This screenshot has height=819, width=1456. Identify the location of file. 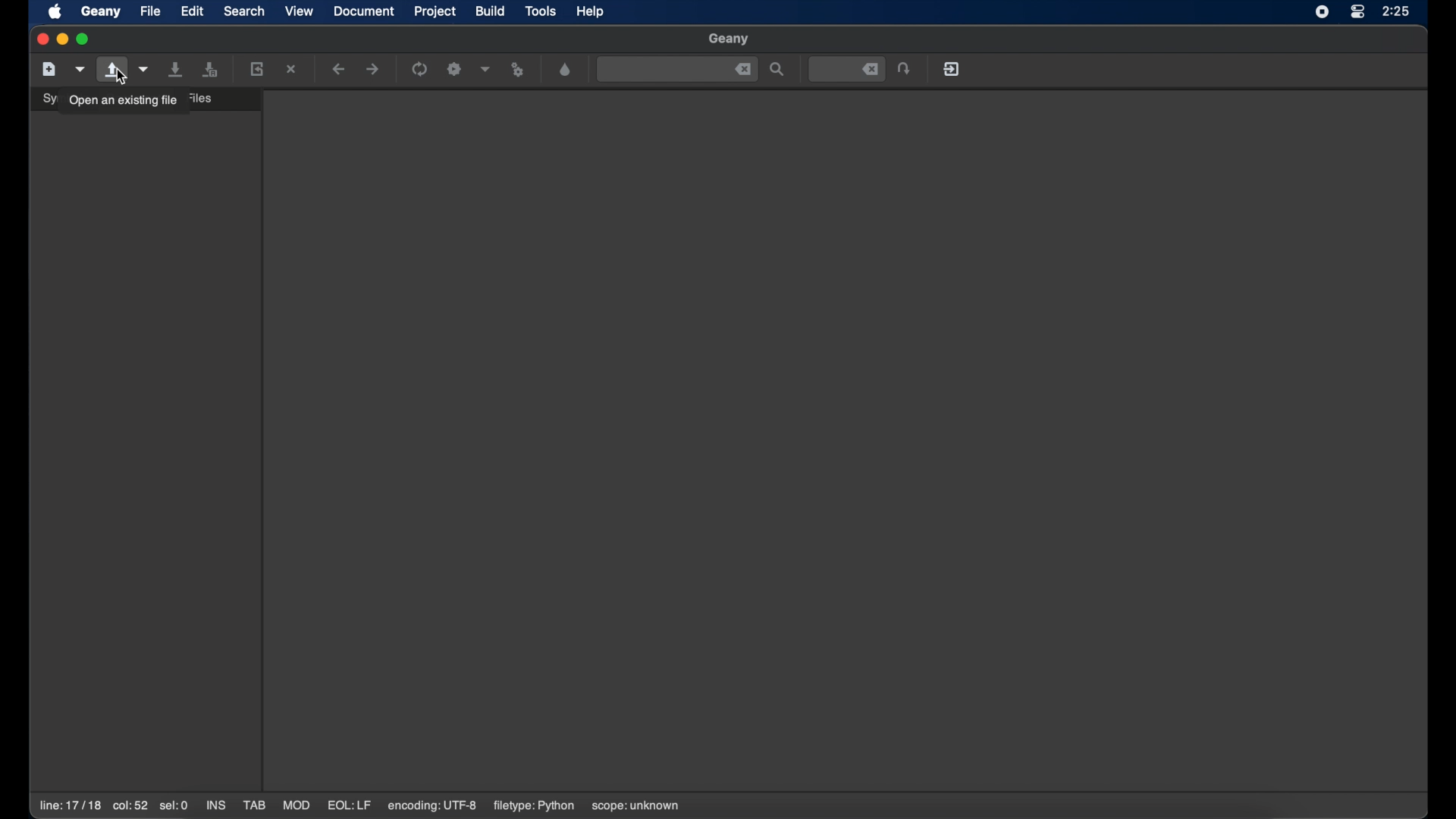
(150, 11).